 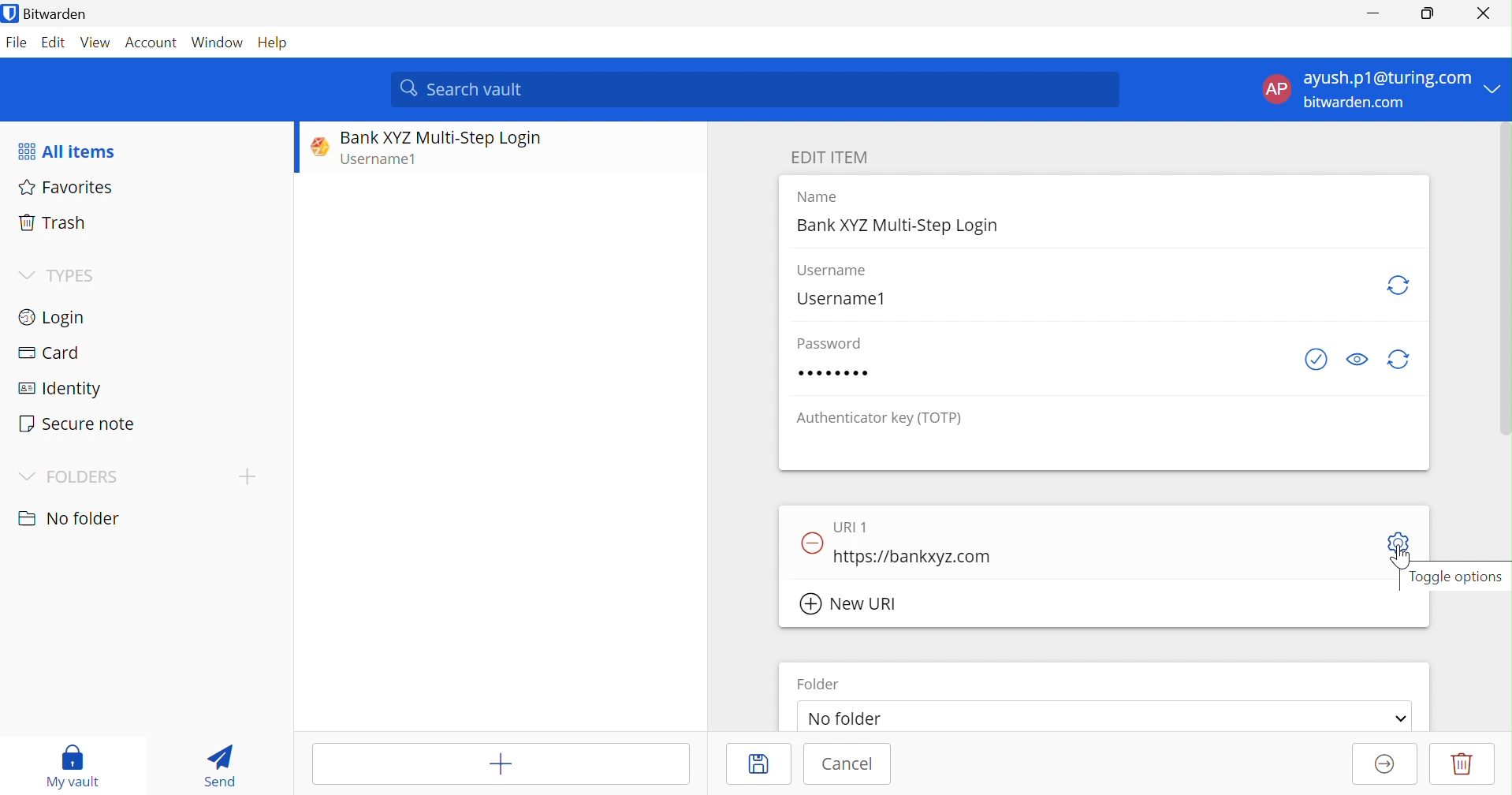 What do you see at coordinates (25, 274) in the screenshot?
I see `Drop Down` at bounding box center [25, 274].